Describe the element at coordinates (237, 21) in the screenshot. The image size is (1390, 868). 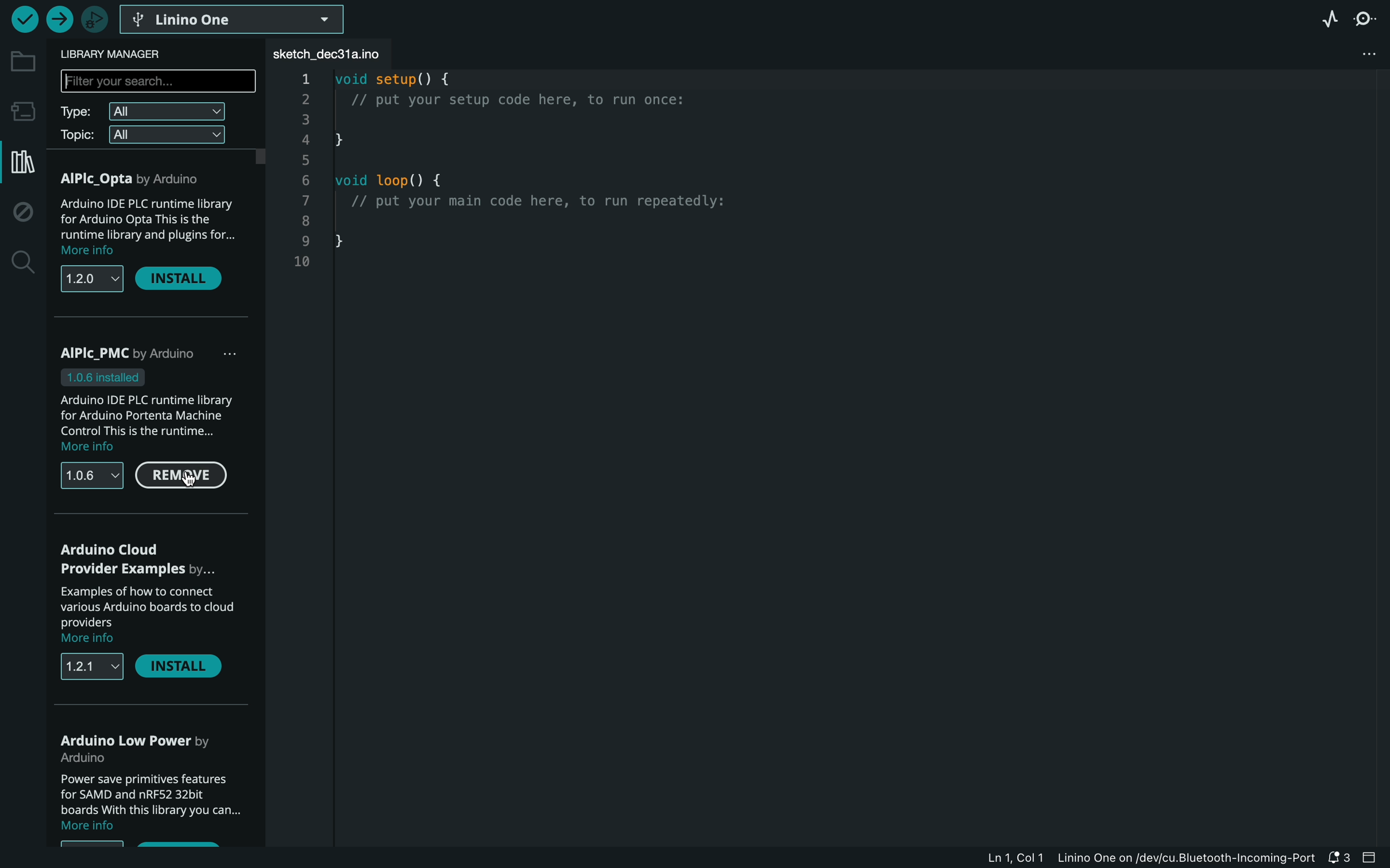
I see `board selector` at that location.